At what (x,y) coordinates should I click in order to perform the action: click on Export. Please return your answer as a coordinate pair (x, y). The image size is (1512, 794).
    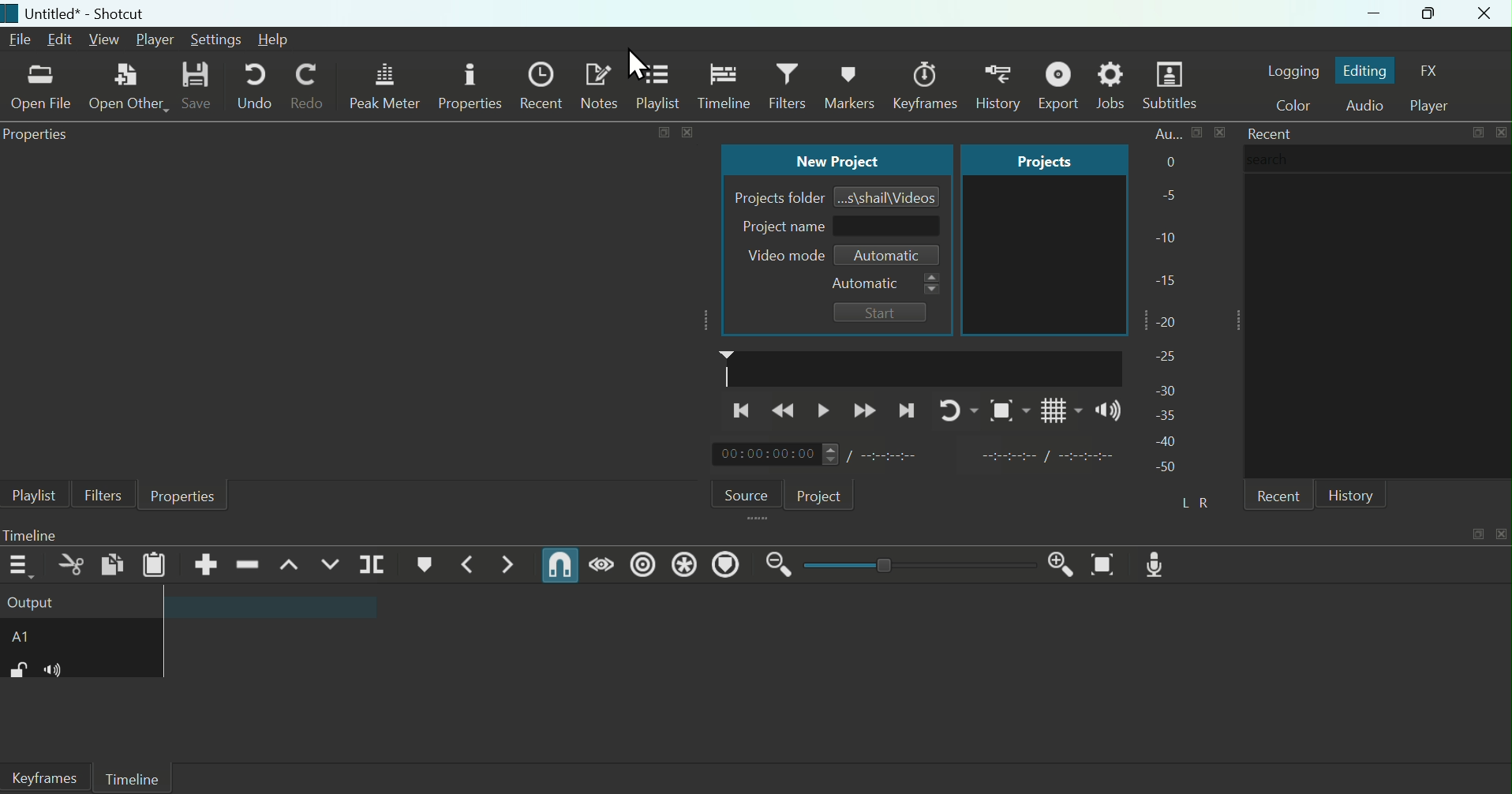
    Looking at the image, I should click on (1062, 85).